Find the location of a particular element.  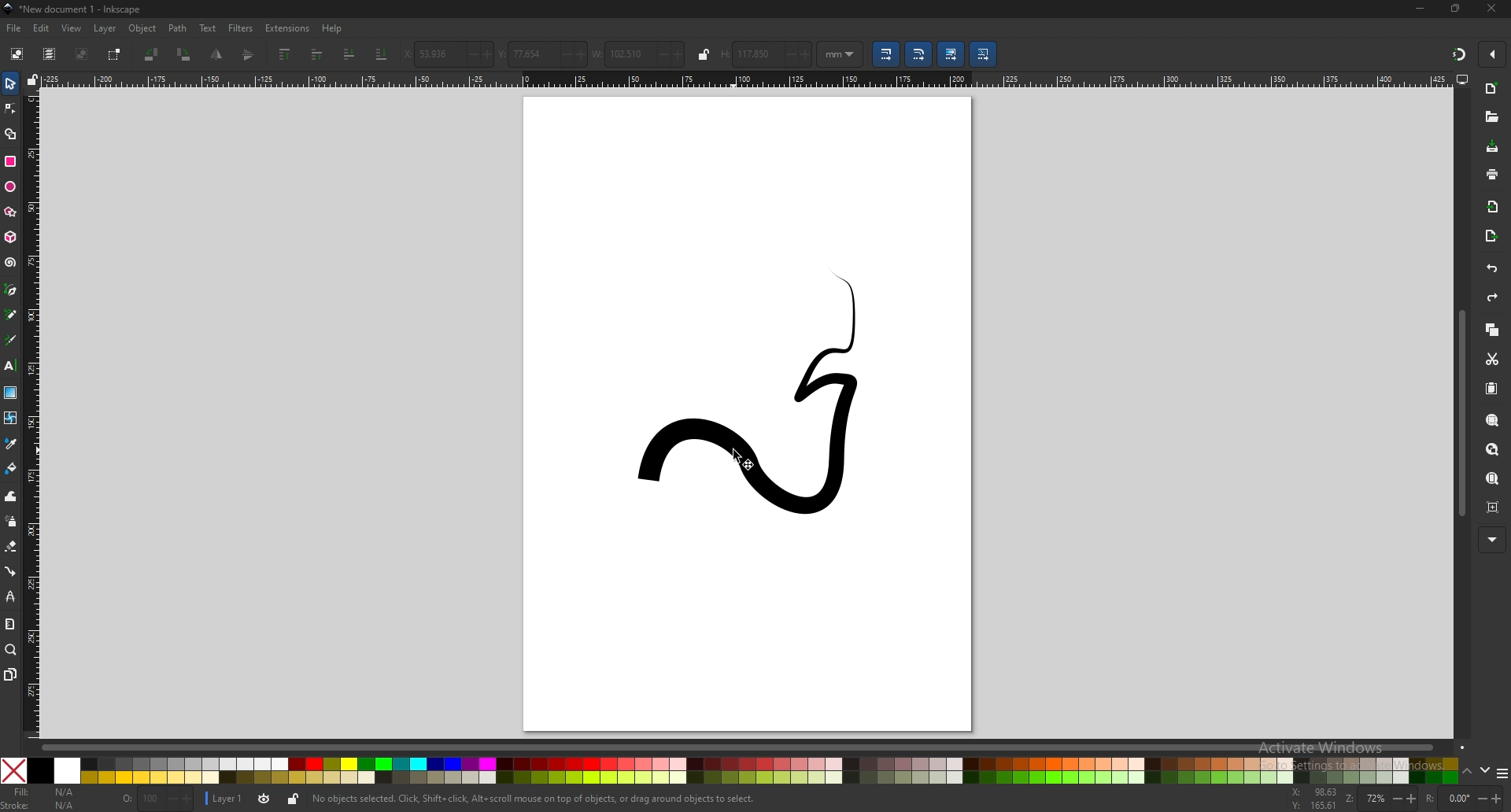

zoom is located at coordinates (1382, 799).